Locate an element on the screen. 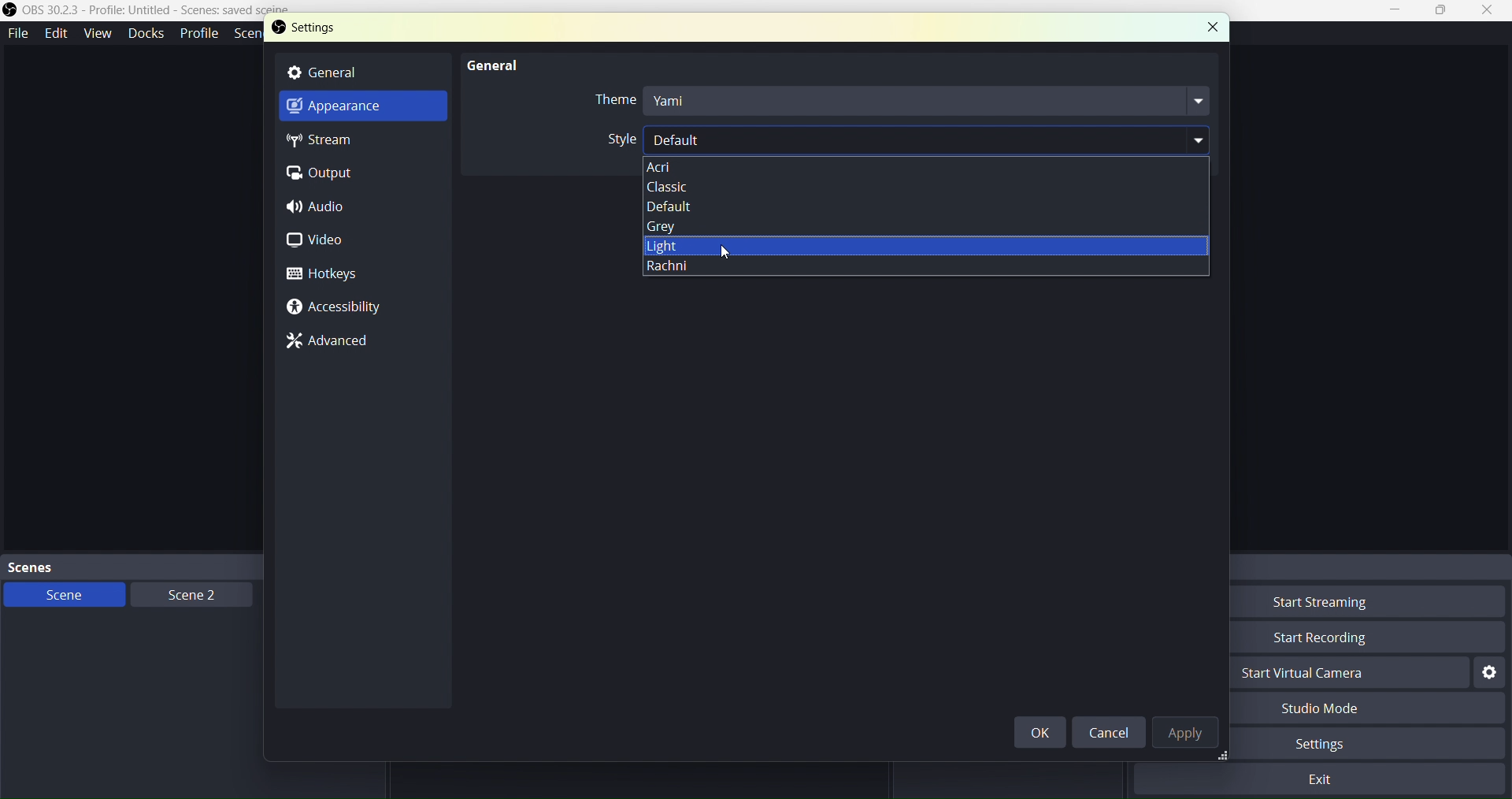 The width and height of the screenshot is (1512, 799). Edit is located at coordinates (57, 33).